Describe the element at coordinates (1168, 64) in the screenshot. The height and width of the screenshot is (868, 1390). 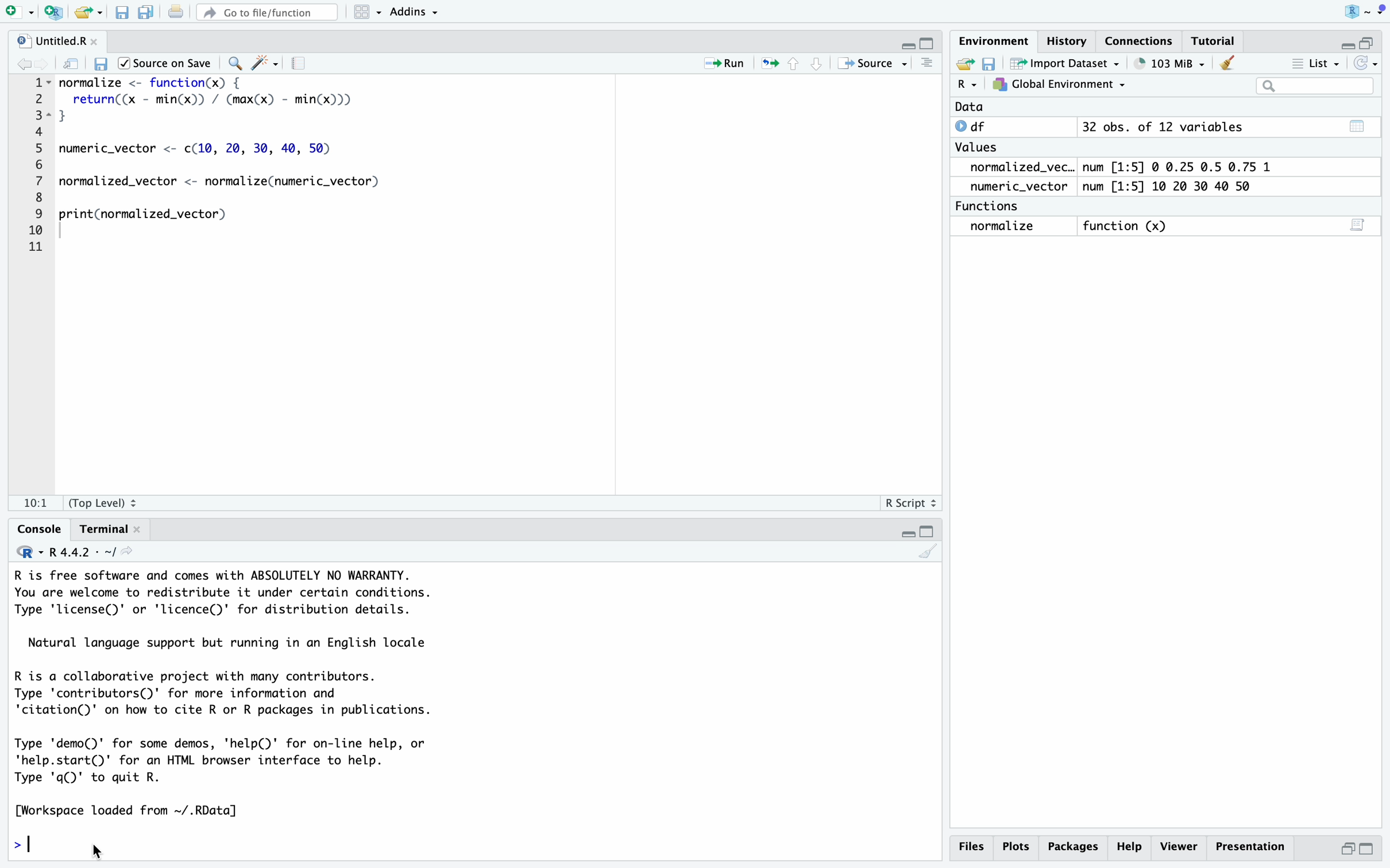
I see `103kib used by R session (Source: Windows System)` at that location.